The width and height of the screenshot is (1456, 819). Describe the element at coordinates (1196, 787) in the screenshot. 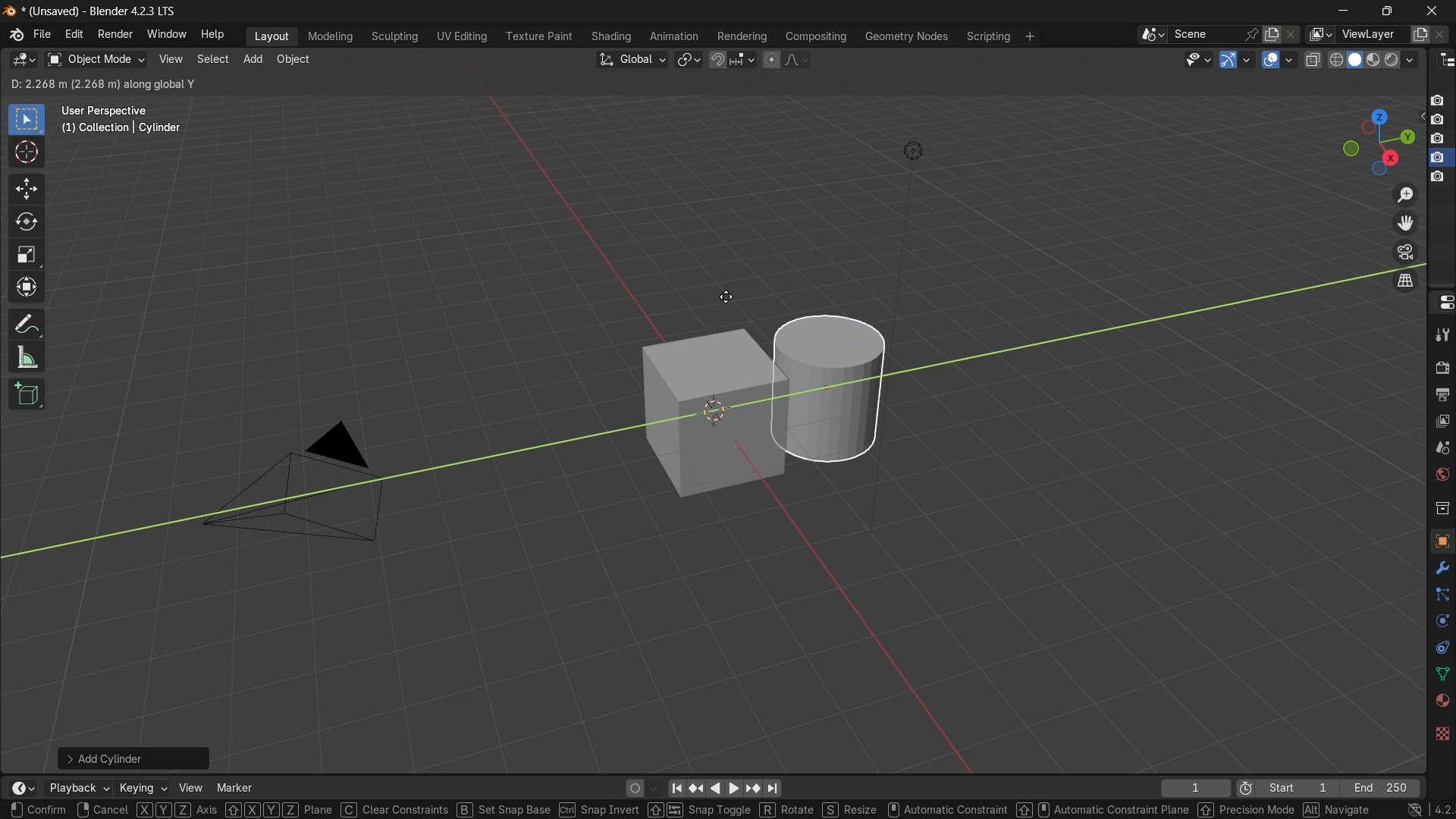

I see `current frame` at that location.